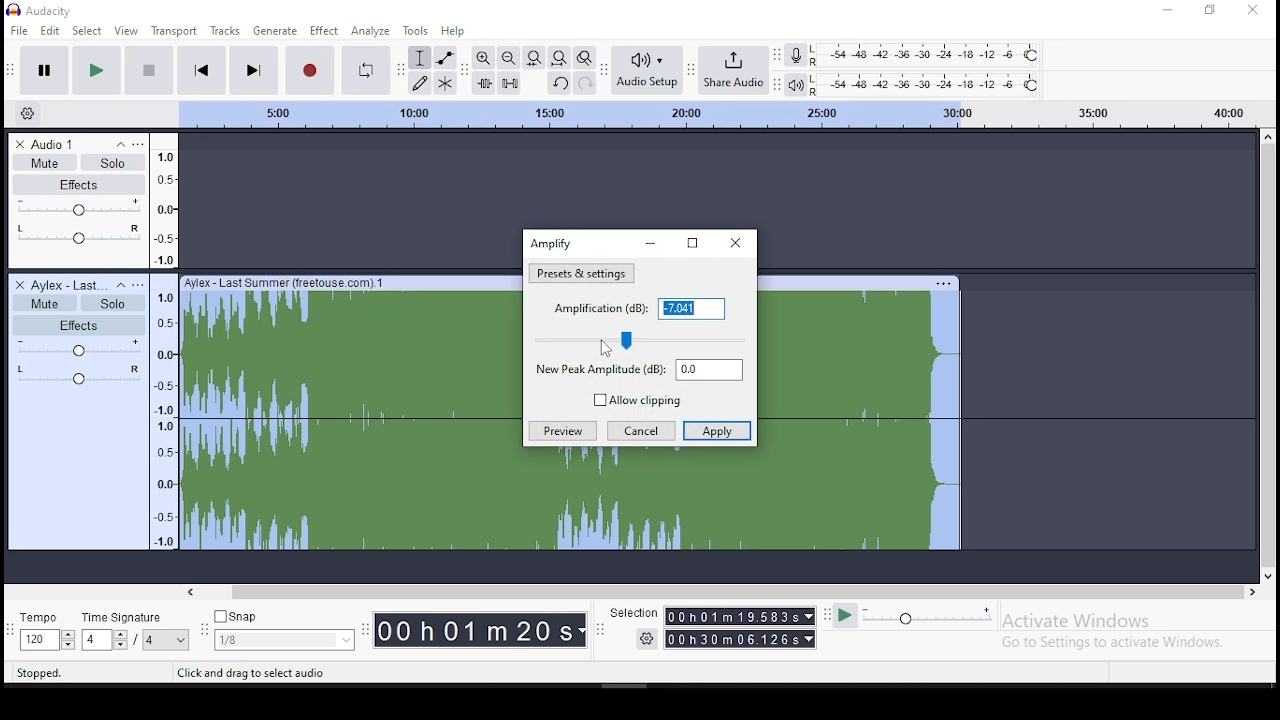 Image resolution: width=1280 pixels, height=720 pixels. I want to click on select, so click(88, 30).